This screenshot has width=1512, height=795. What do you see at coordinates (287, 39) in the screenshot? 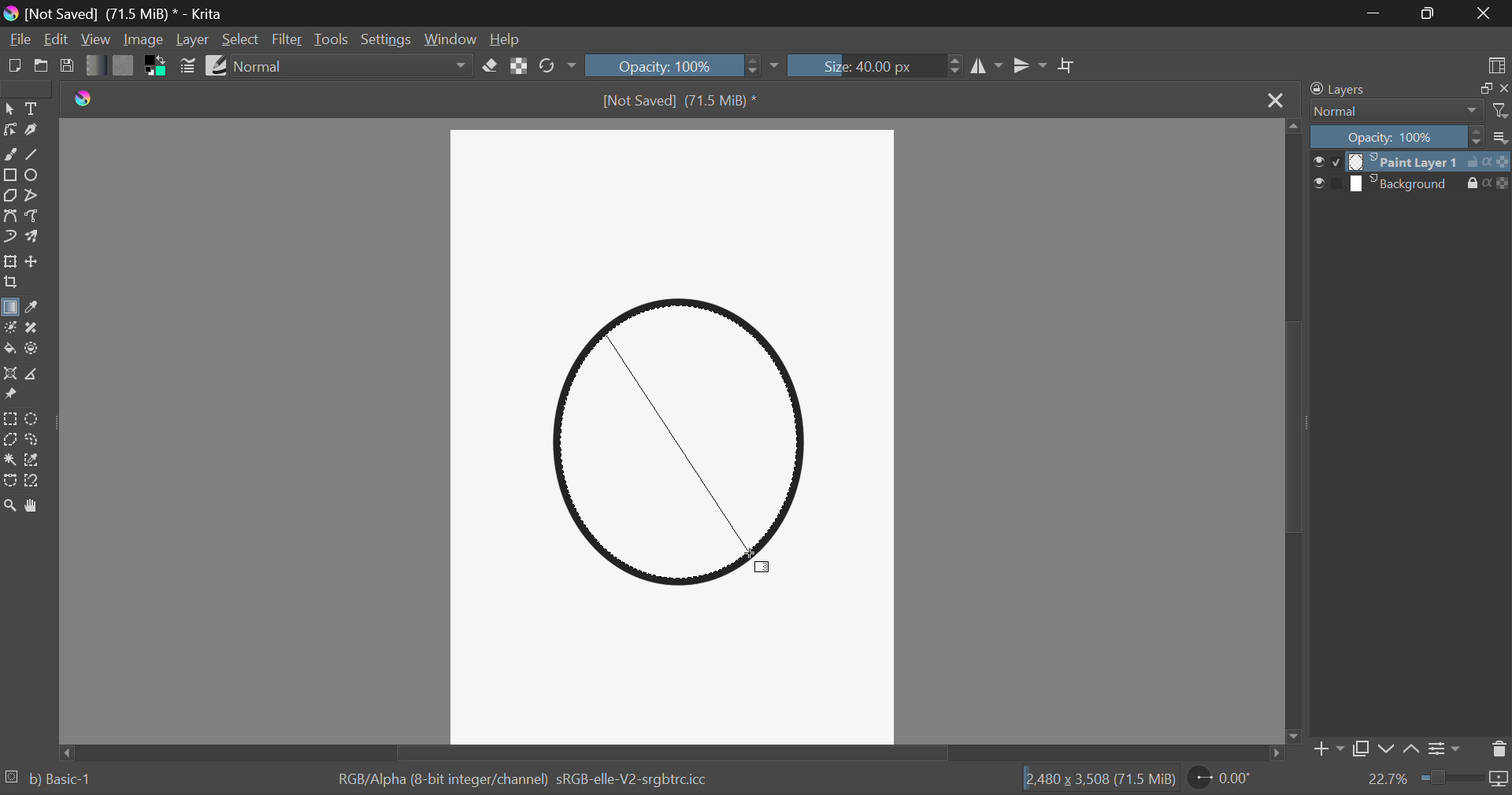
I see `Filter` at bounding box center [287, 39].